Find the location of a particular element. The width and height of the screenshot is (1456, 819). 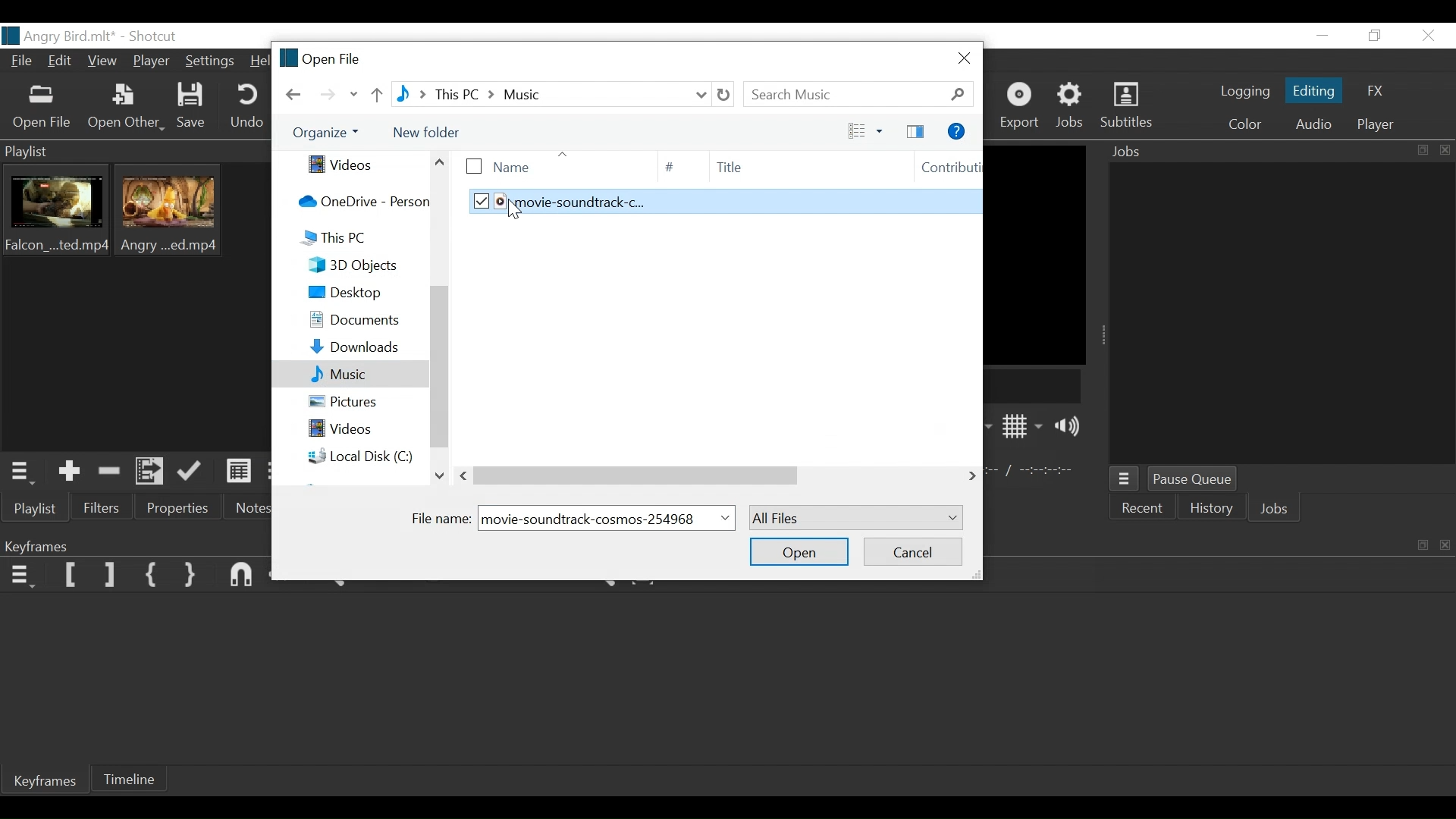

Cancel is located at coordinates (913, 551).